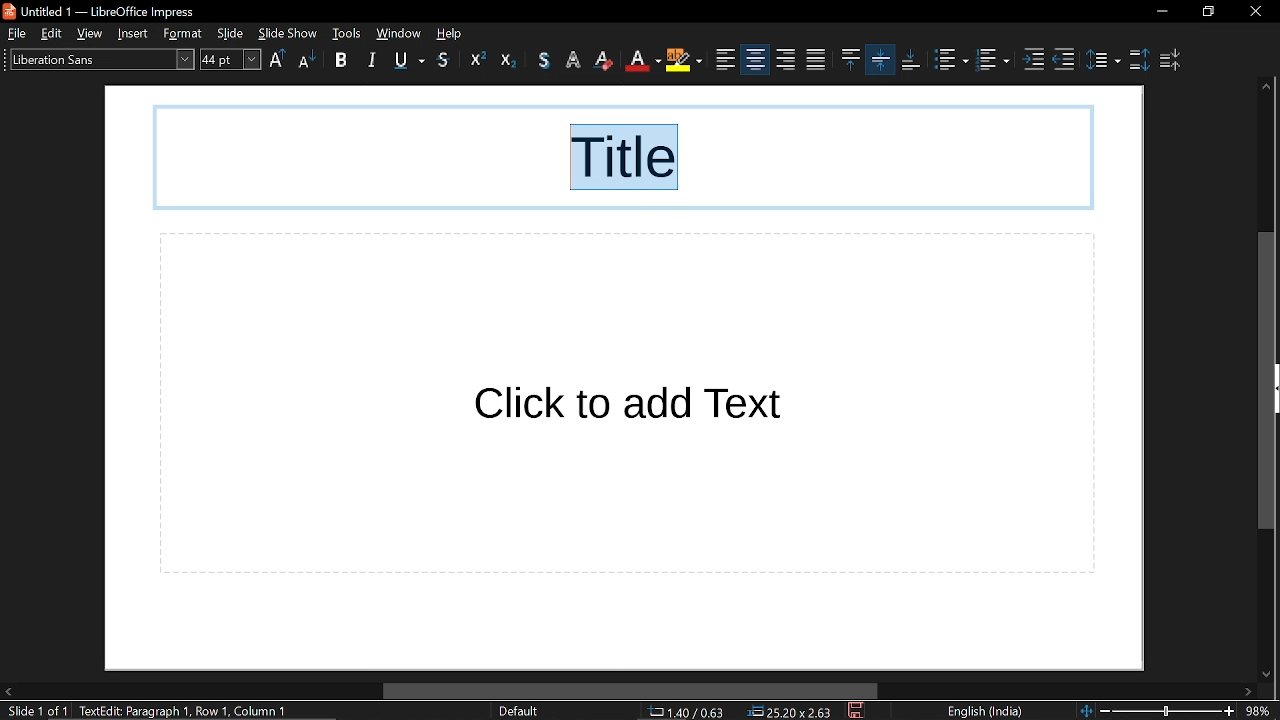  Describe the element at coordinates (1170, 709) in the screenshot. I see `slider` at that location.